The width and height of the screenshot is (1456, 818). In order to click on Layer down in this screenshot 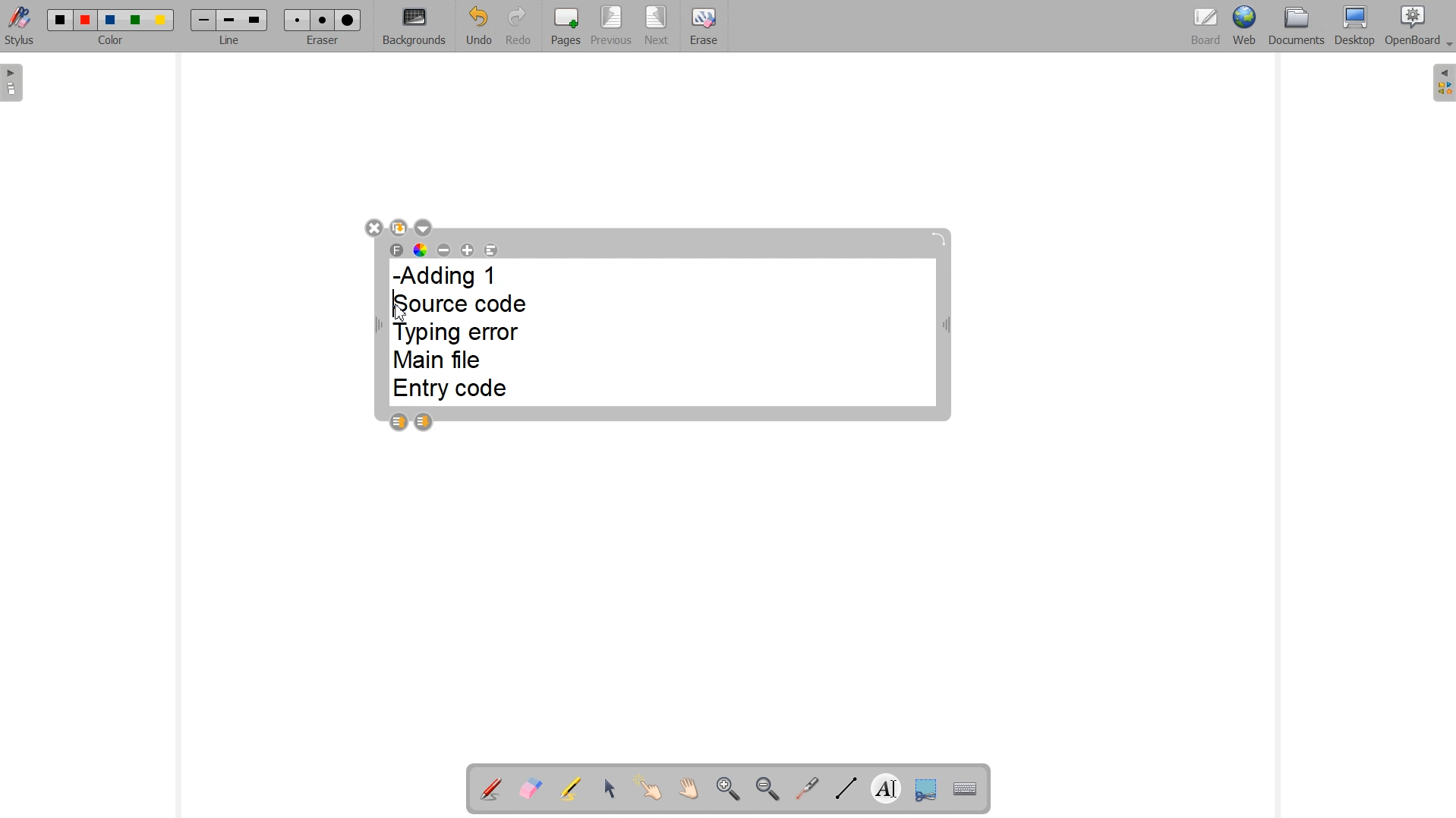, I will do `click(424, 422)`.